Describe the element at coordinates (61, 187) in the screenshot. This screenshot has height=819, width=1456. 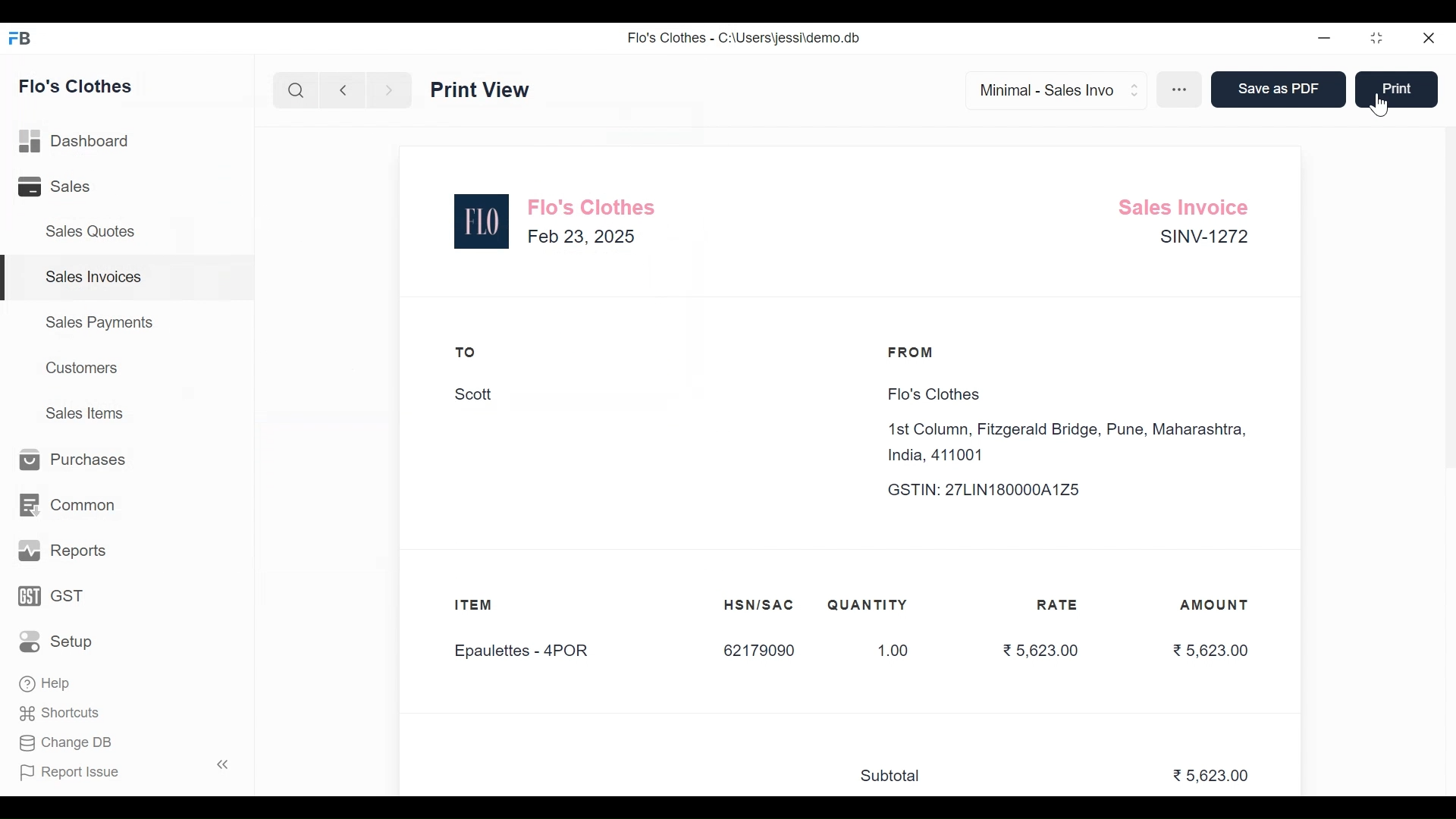
I see `Sales` at that location.